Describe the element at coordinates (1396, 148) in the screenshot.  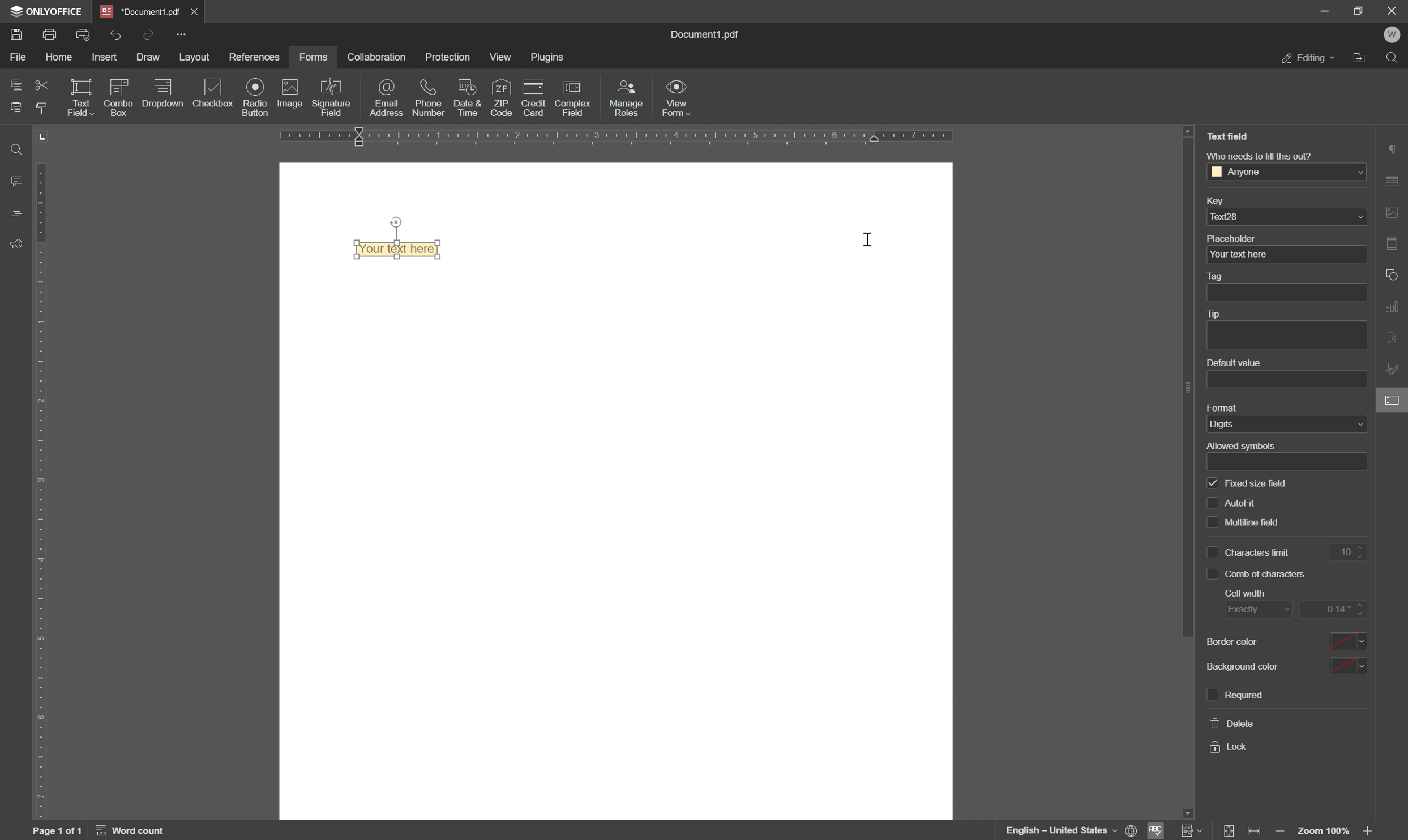
I see `paragraph settings` at that location.